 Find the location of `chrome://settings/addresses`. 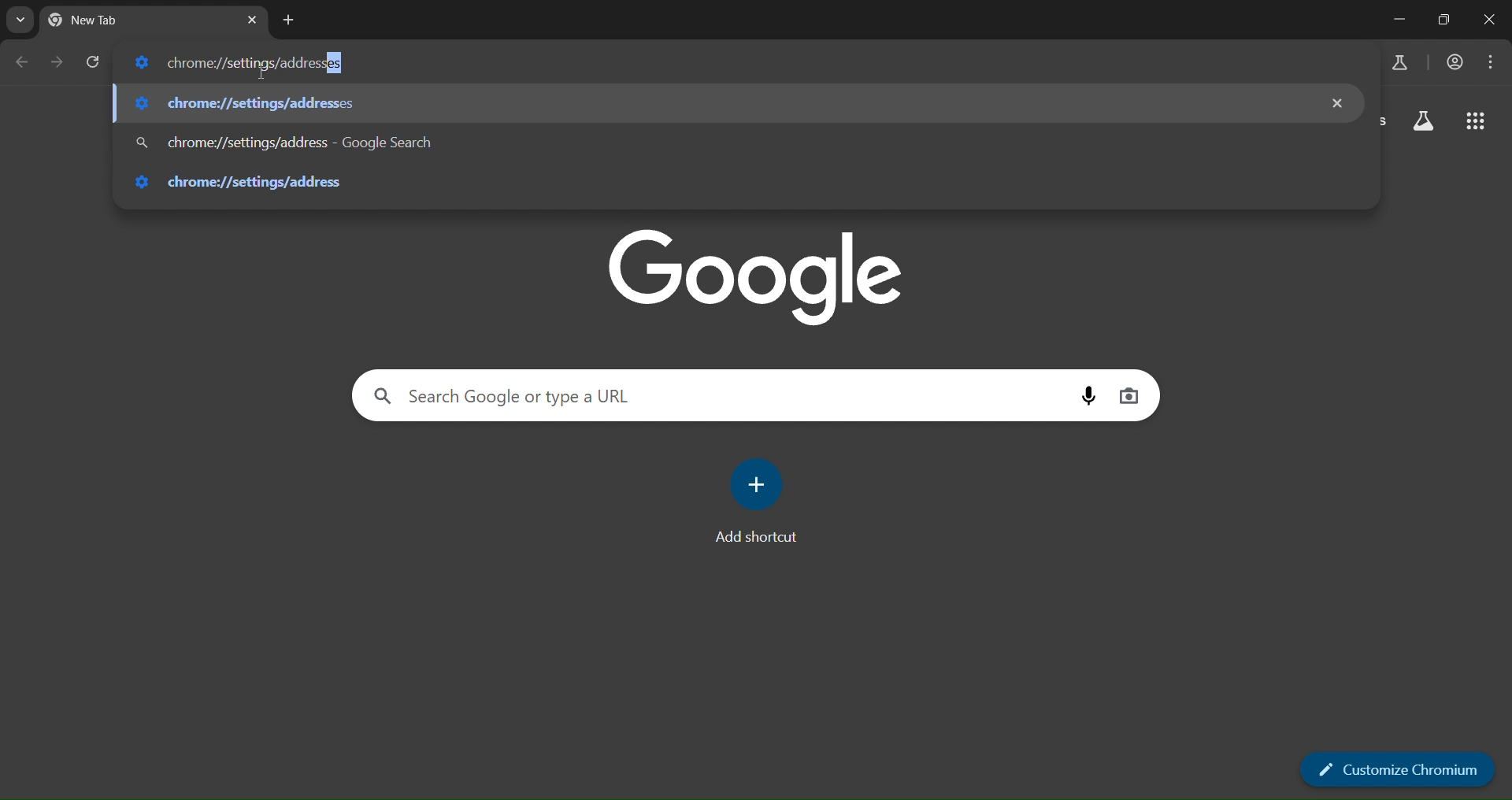

chrome://settings/addresses is located at coordinates (719, 104).